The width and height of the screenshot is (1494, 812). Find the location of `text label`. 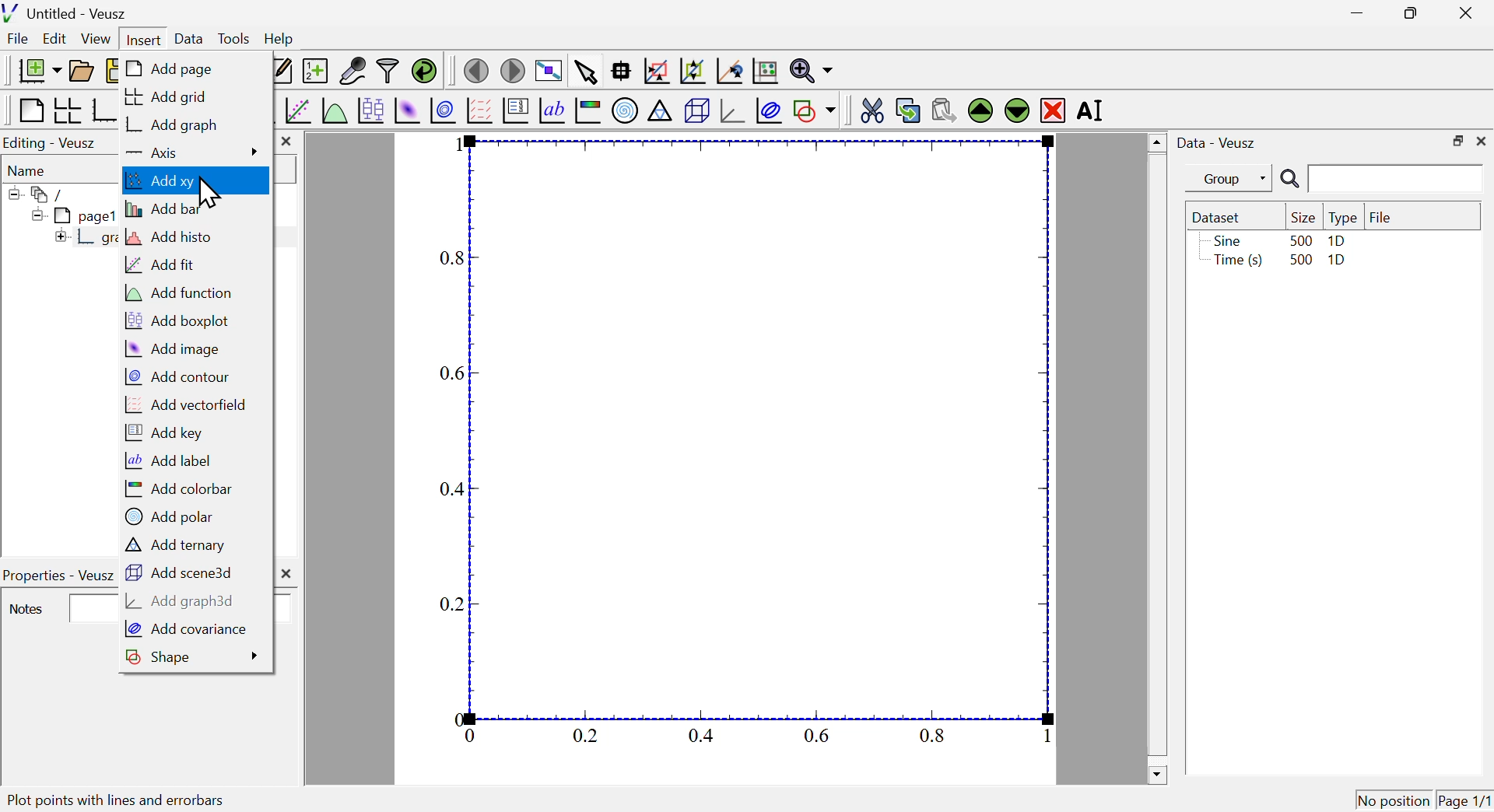

text label is located at coordinates (552, 113).